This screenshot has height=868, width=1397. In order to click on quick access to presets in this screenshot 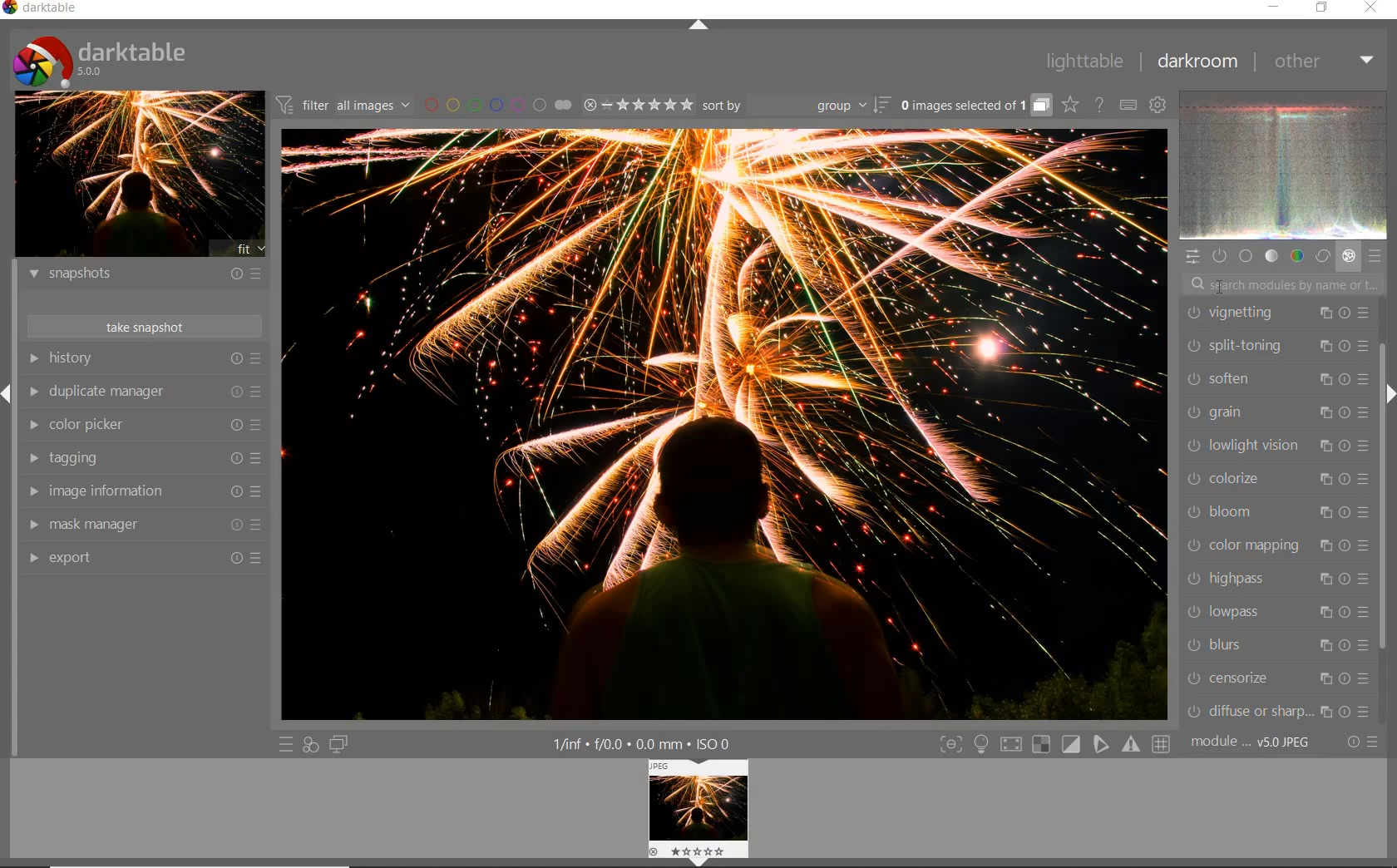, I will do `click(288, 745)`.